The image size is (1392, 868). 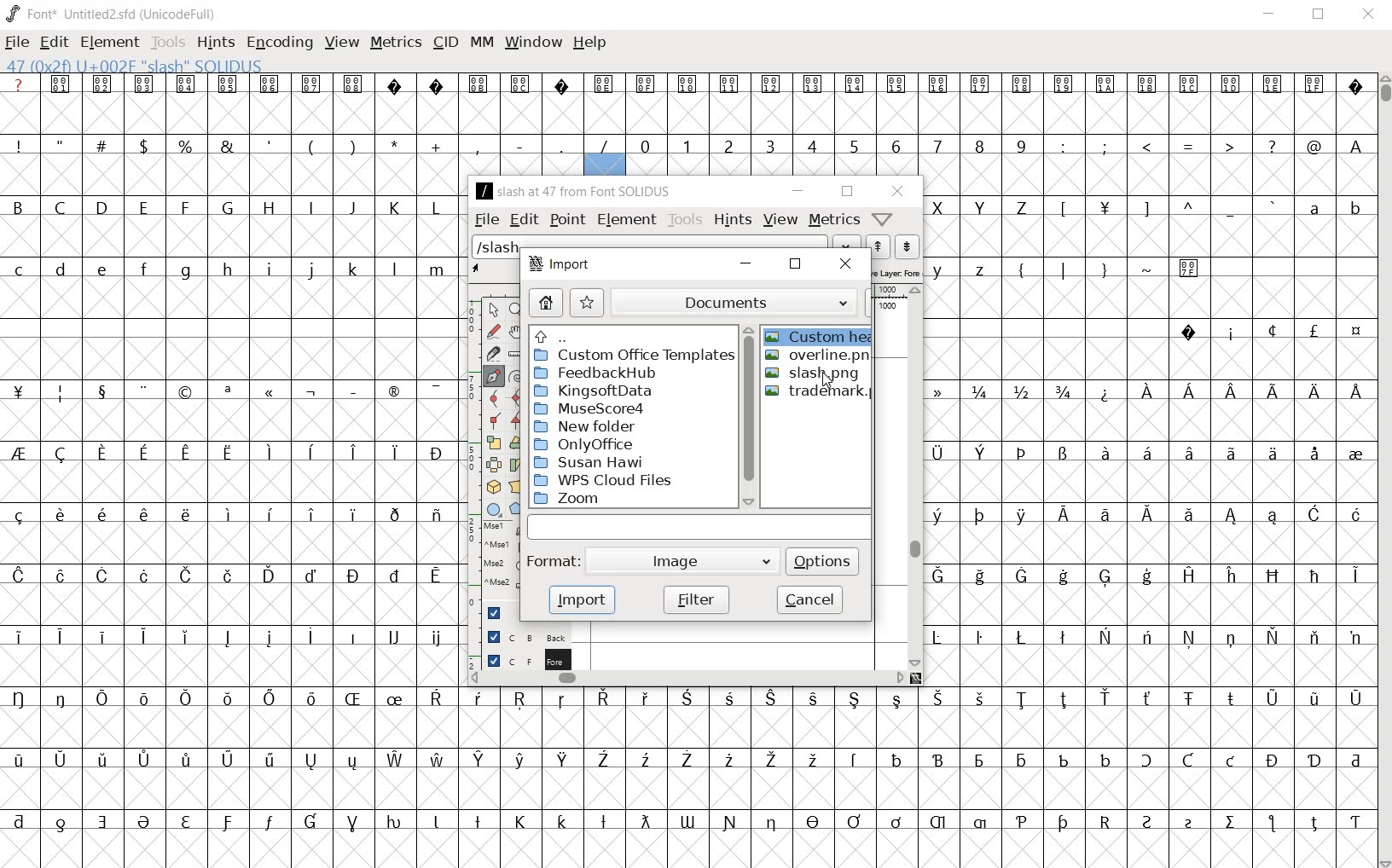 What do you see at coordinates (1148, 421) in the screenshot?
I see `empty cells` at bounding box center [1148, 421].